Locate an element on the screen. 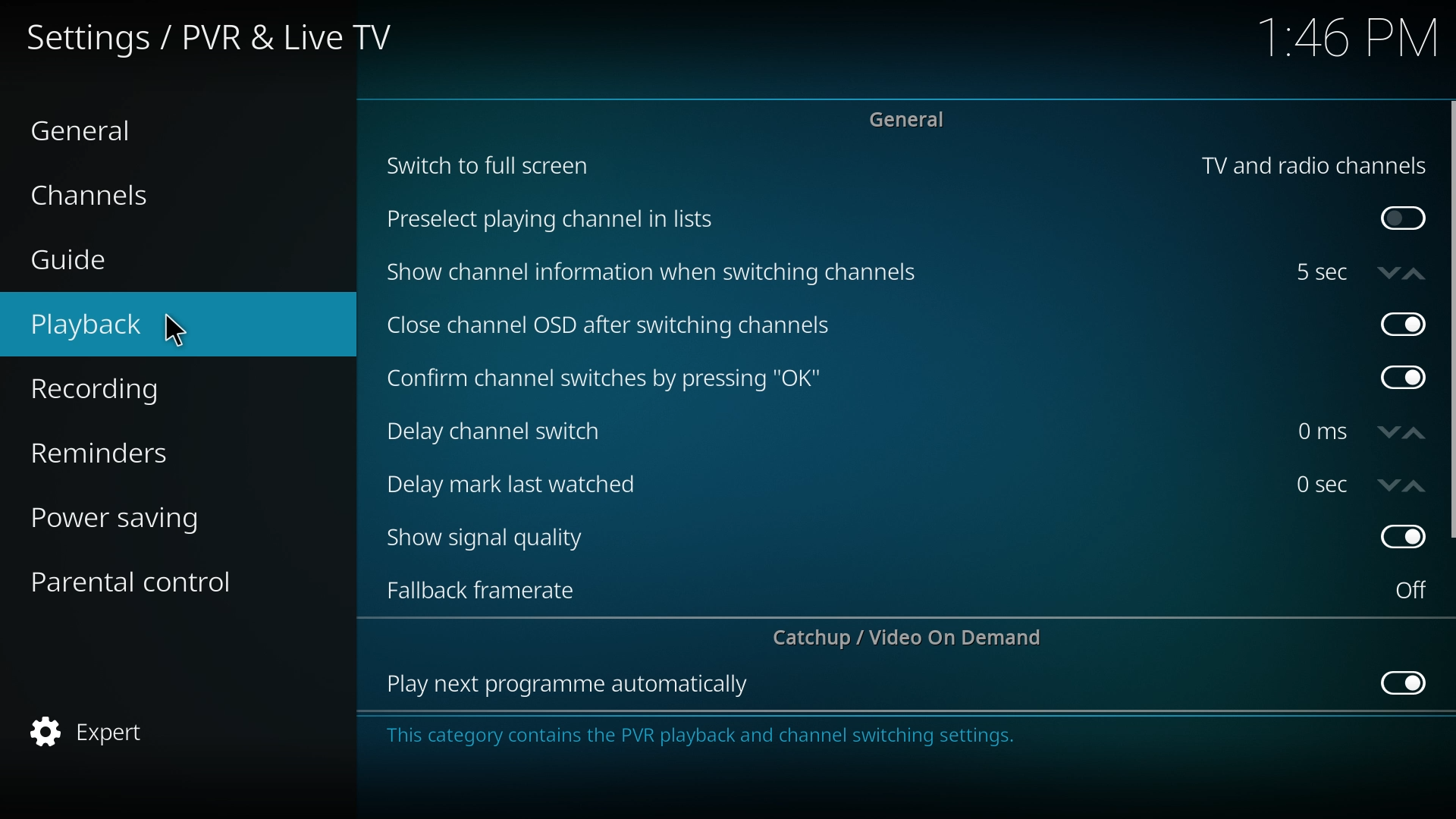 The image size is (1456, 819). guide is located at coordinates (124, 262).